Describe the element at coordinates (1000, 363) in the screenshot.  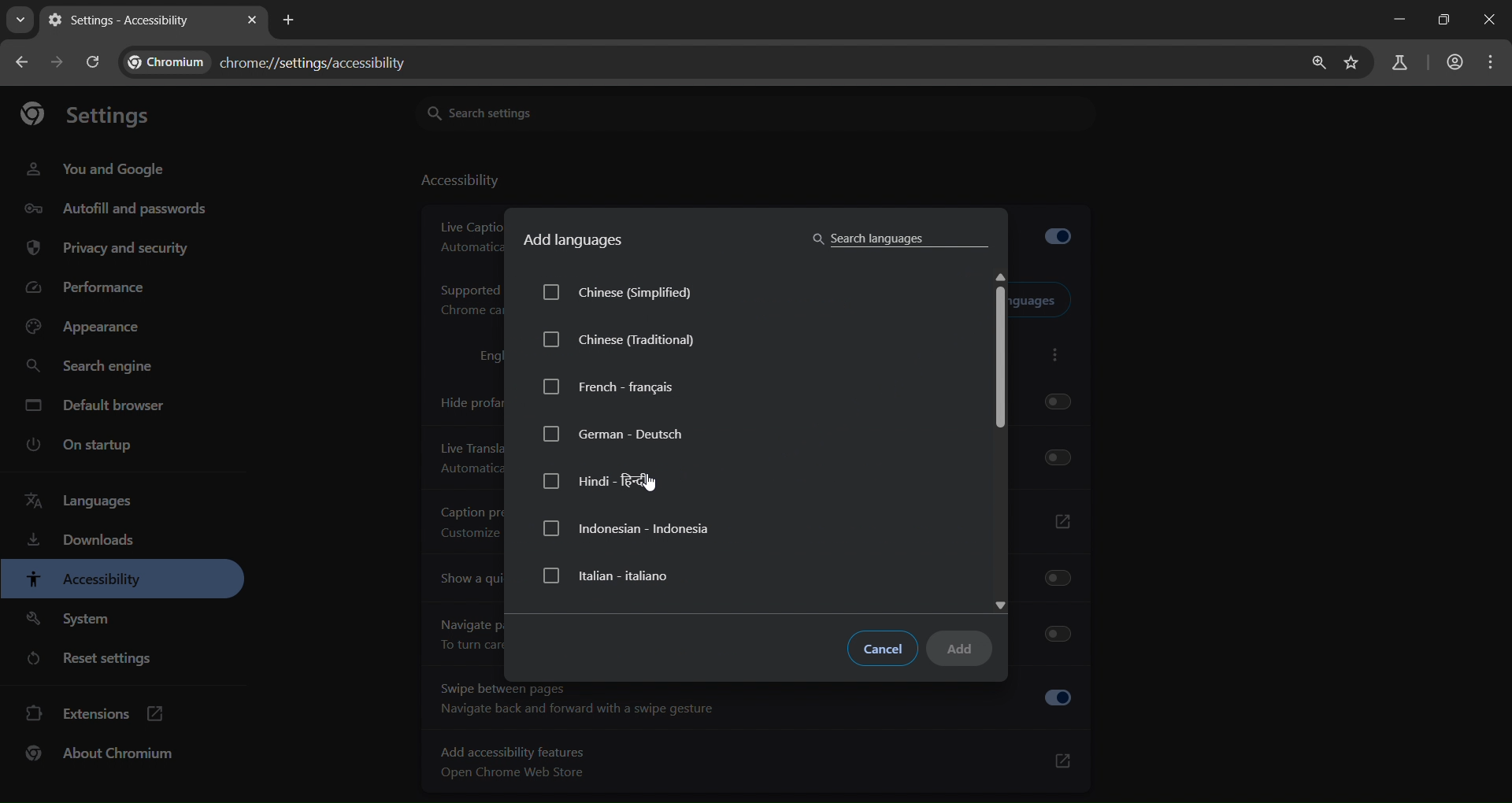
I see `scrollbar` at that location.